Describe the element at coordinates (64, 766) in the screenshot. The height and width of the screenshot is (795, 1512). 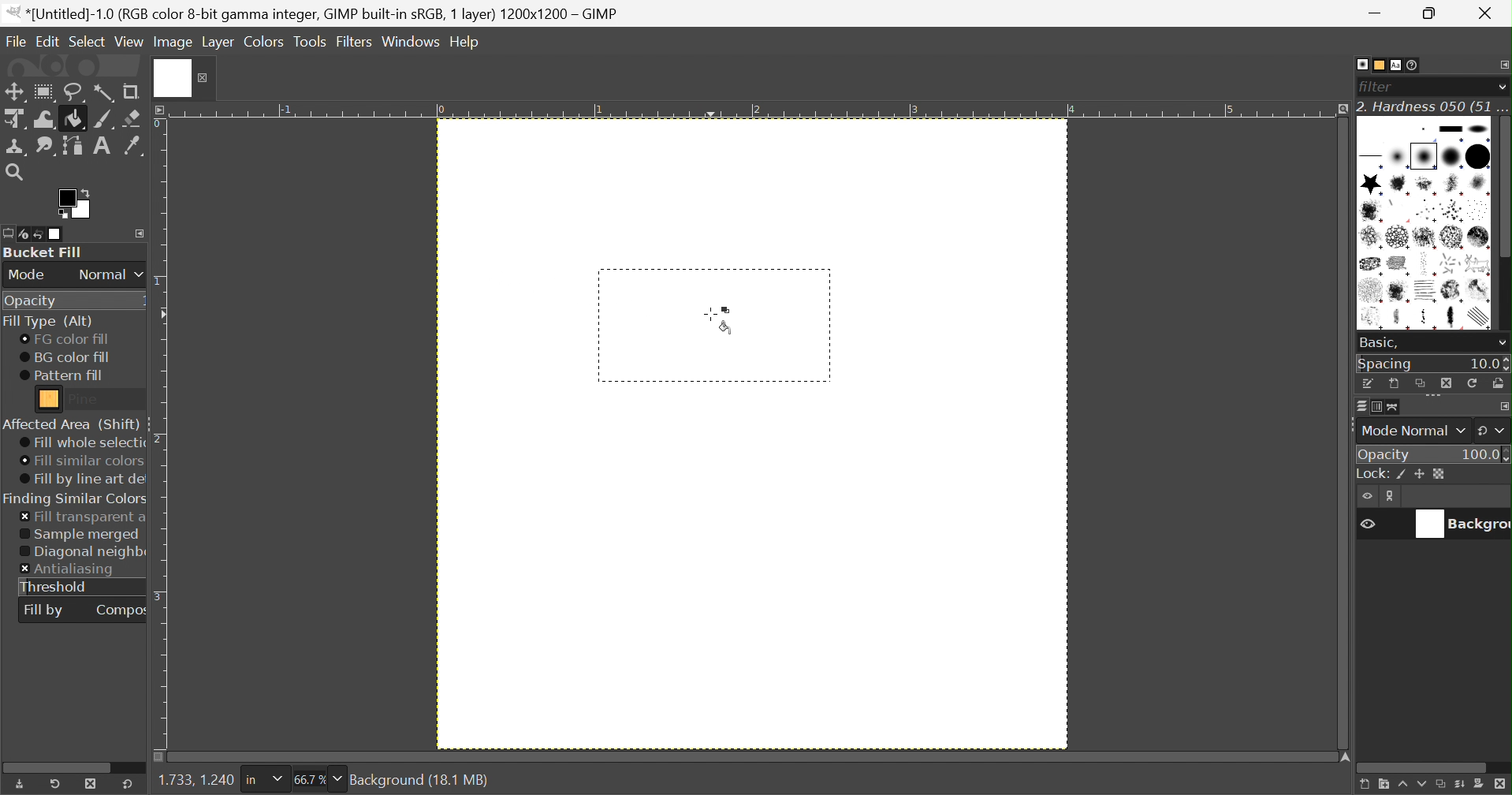
I see `Scroll bar` at that location.